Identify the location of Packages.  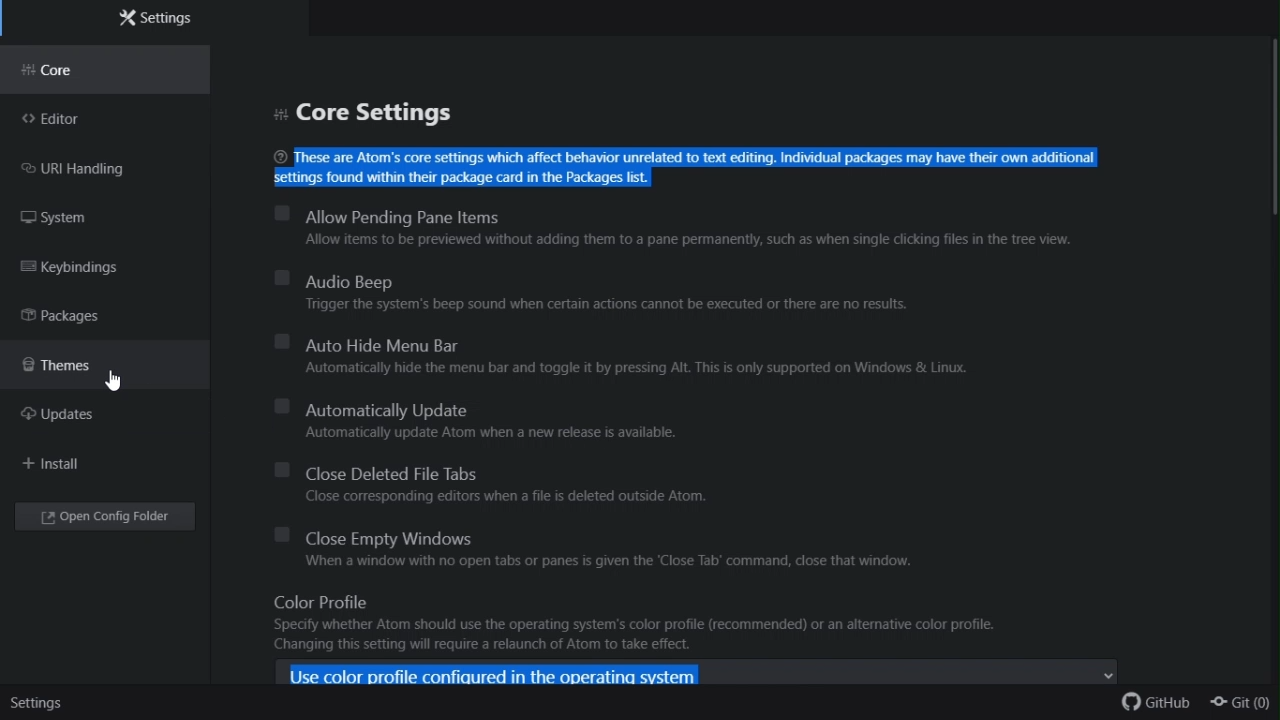
(76, 318).